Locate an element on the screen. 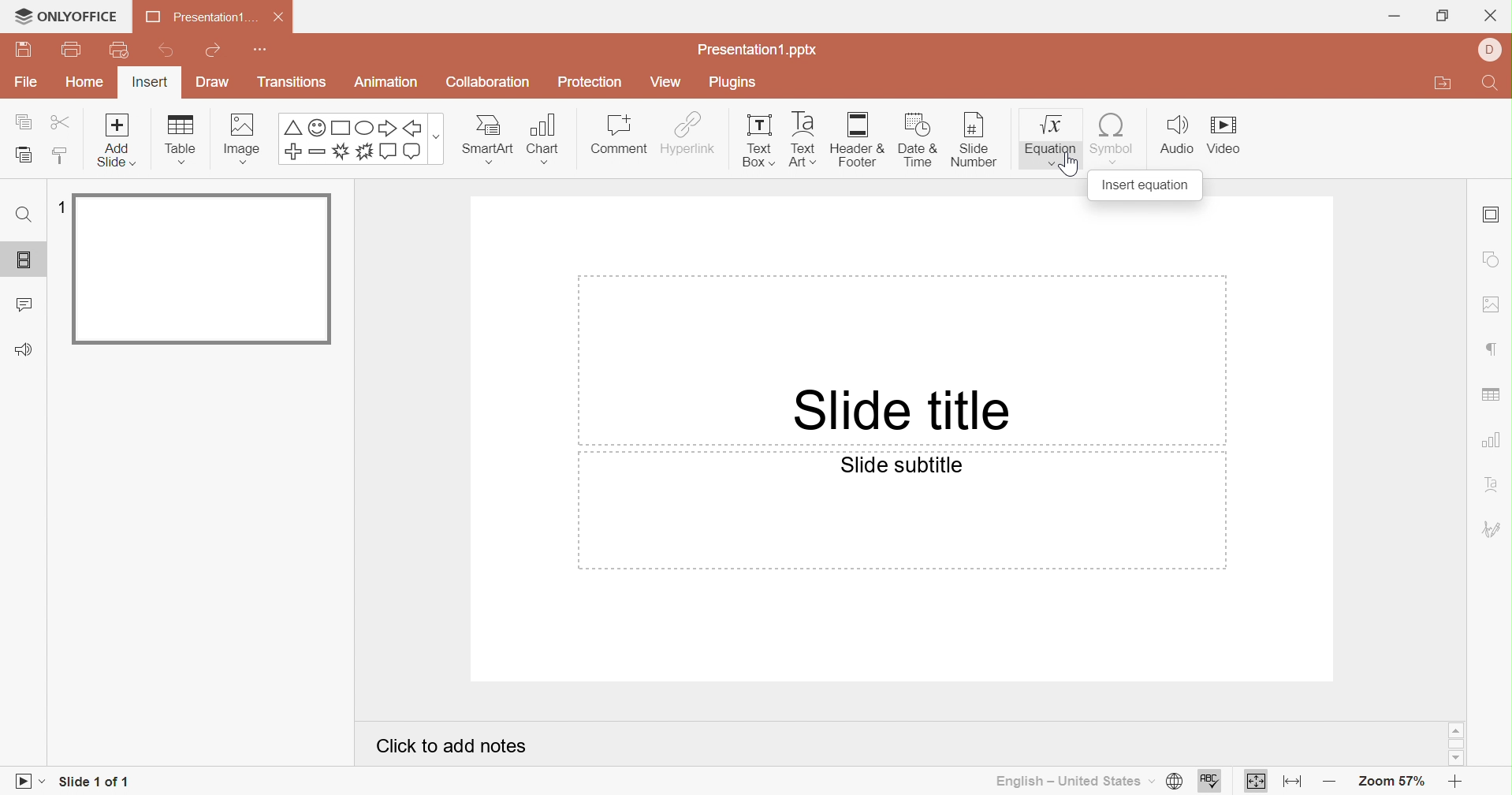 Image resolution: width=1512 pixels, height=795 pixels. Find is located at coordinates (27, 216).